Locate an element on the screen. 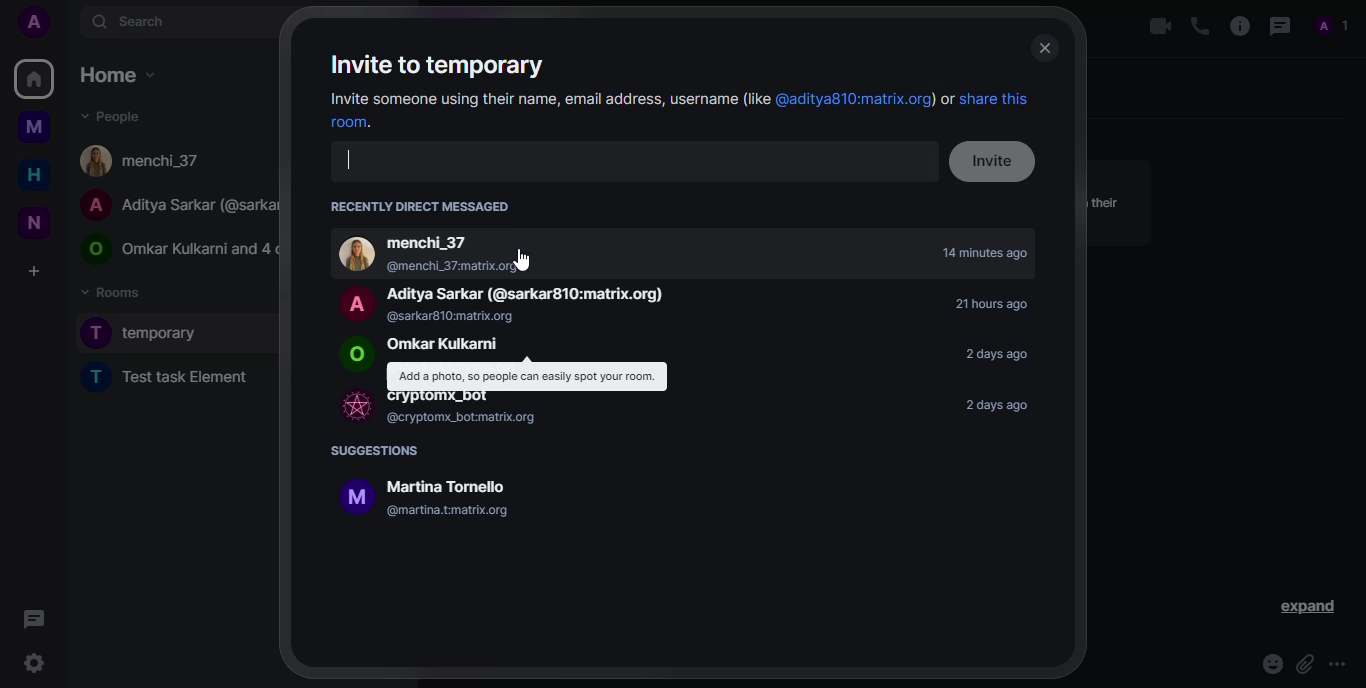 This screenshot has width=1366, height=688. new task element is located at coordinates (181, 381).